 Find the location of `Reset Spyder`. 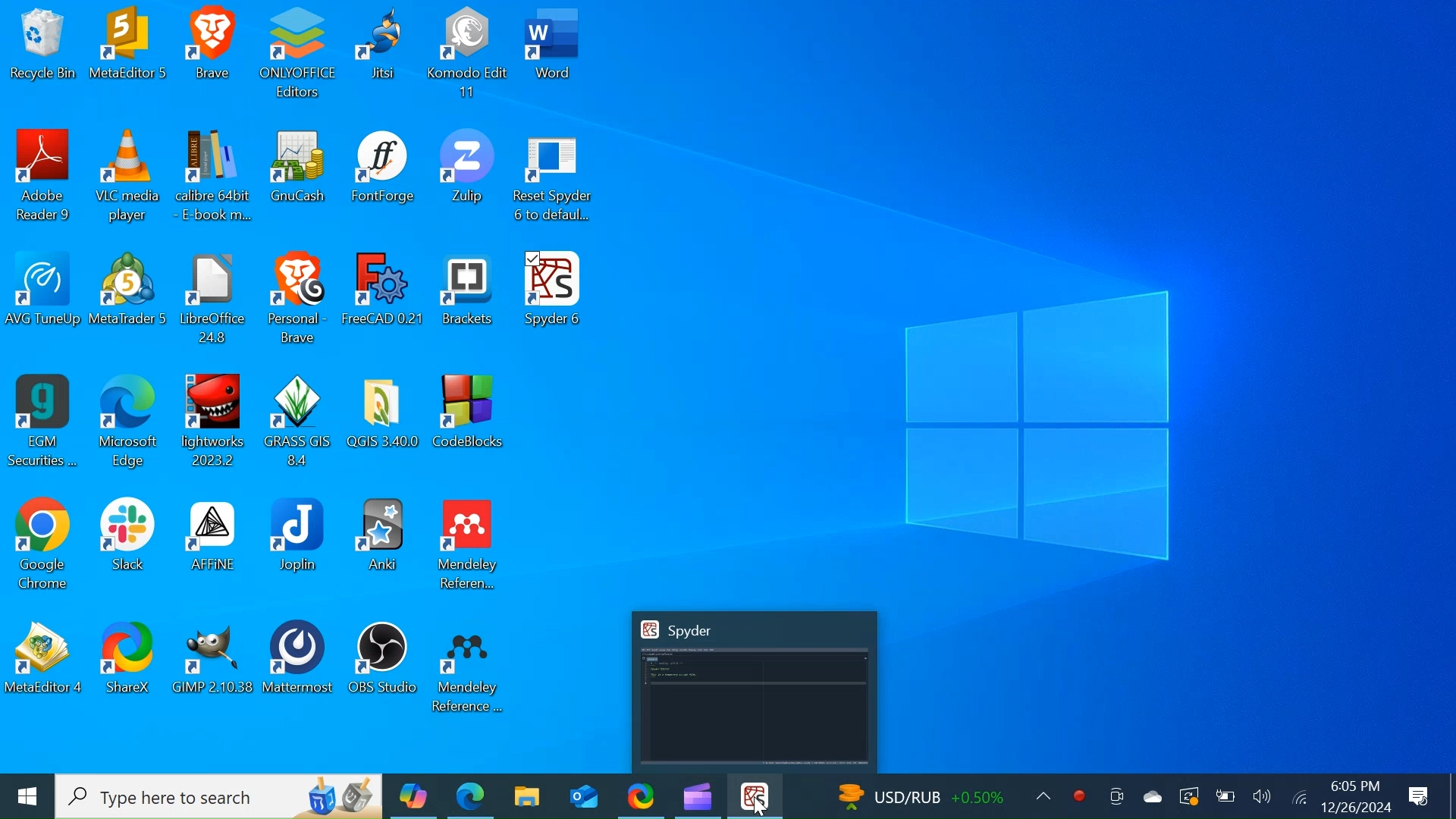

Reset Spyder is located at coordinates (562, 180).